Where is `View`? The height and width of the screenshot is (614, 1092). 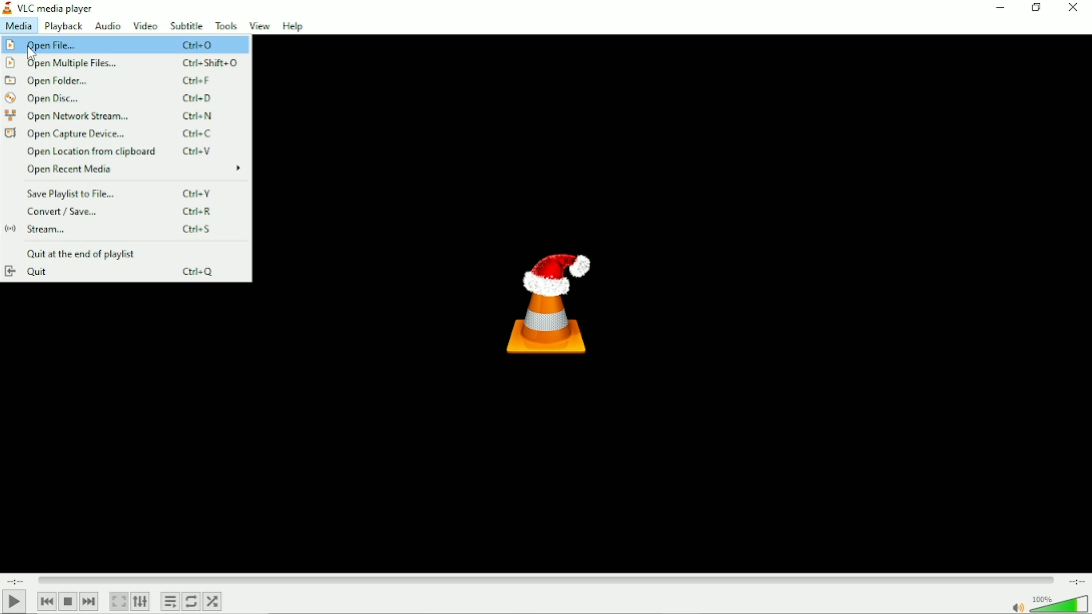
View is located at coordinates (259, 24).